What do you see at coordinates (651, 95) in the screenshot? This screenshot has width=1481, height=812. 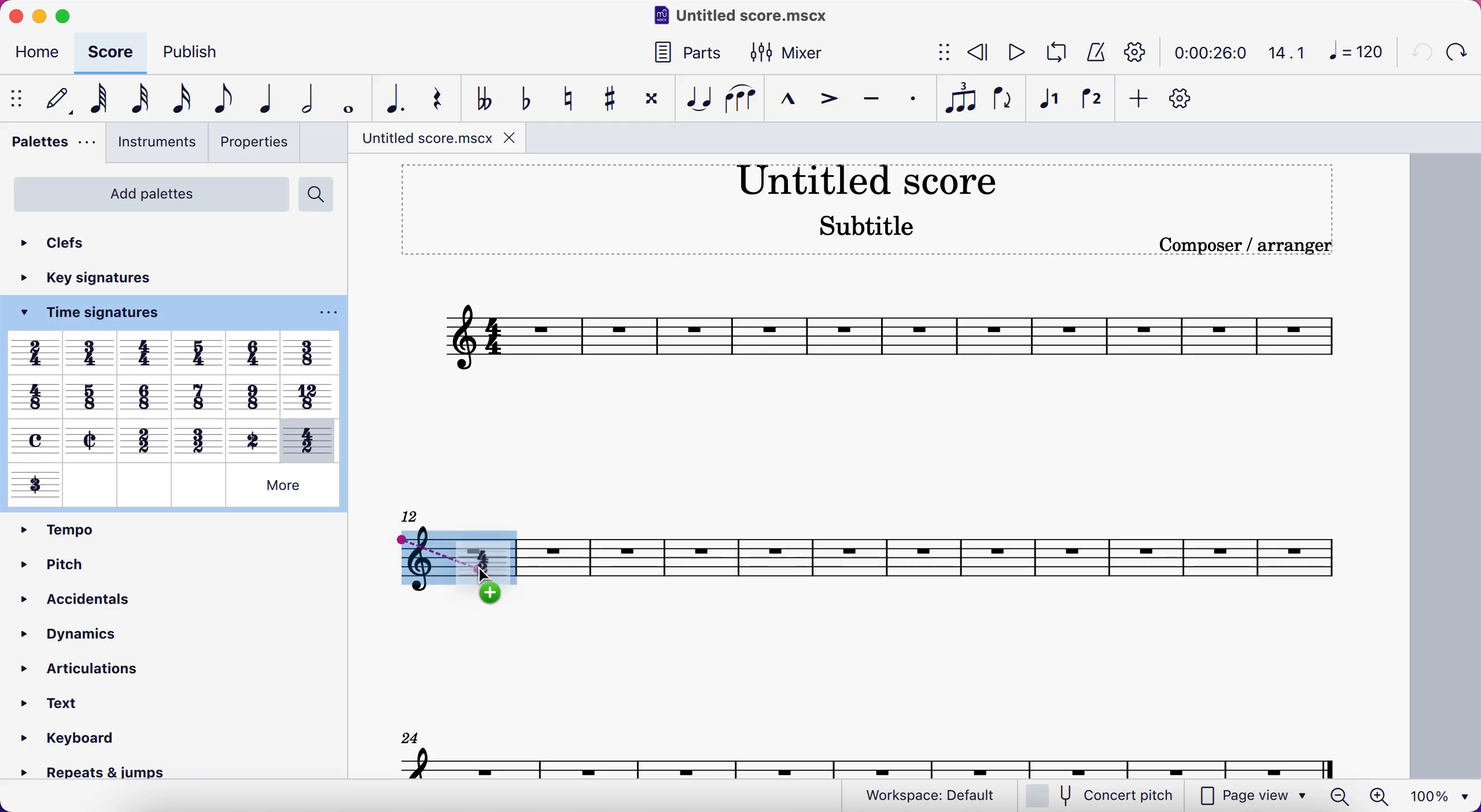 I see `toggle double sharp` at bounding box center [651, 95].